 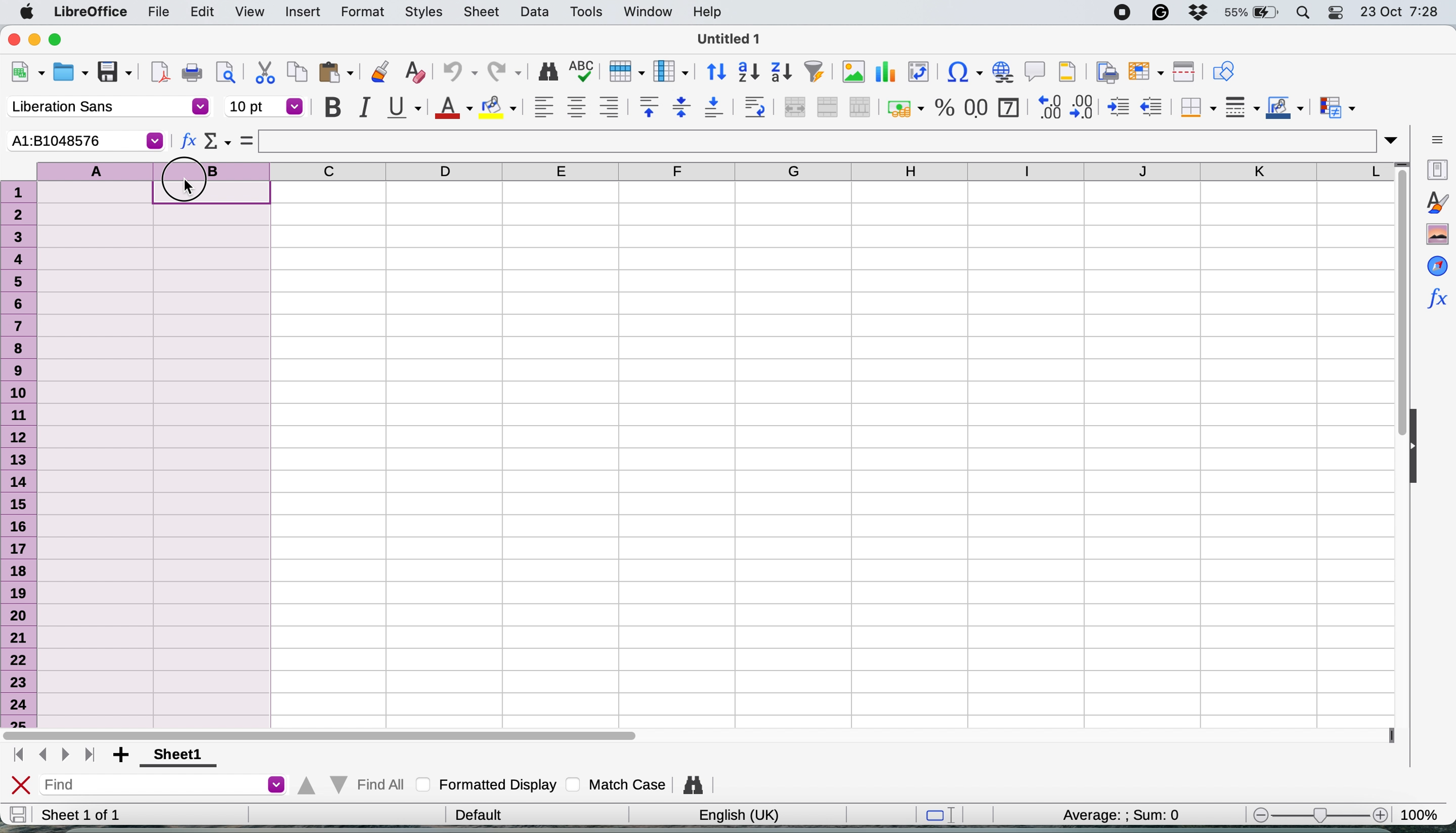 What do you see at coordinates (586, 11) in the screenshot?
I see `tools` at bounding box center [586, 11].